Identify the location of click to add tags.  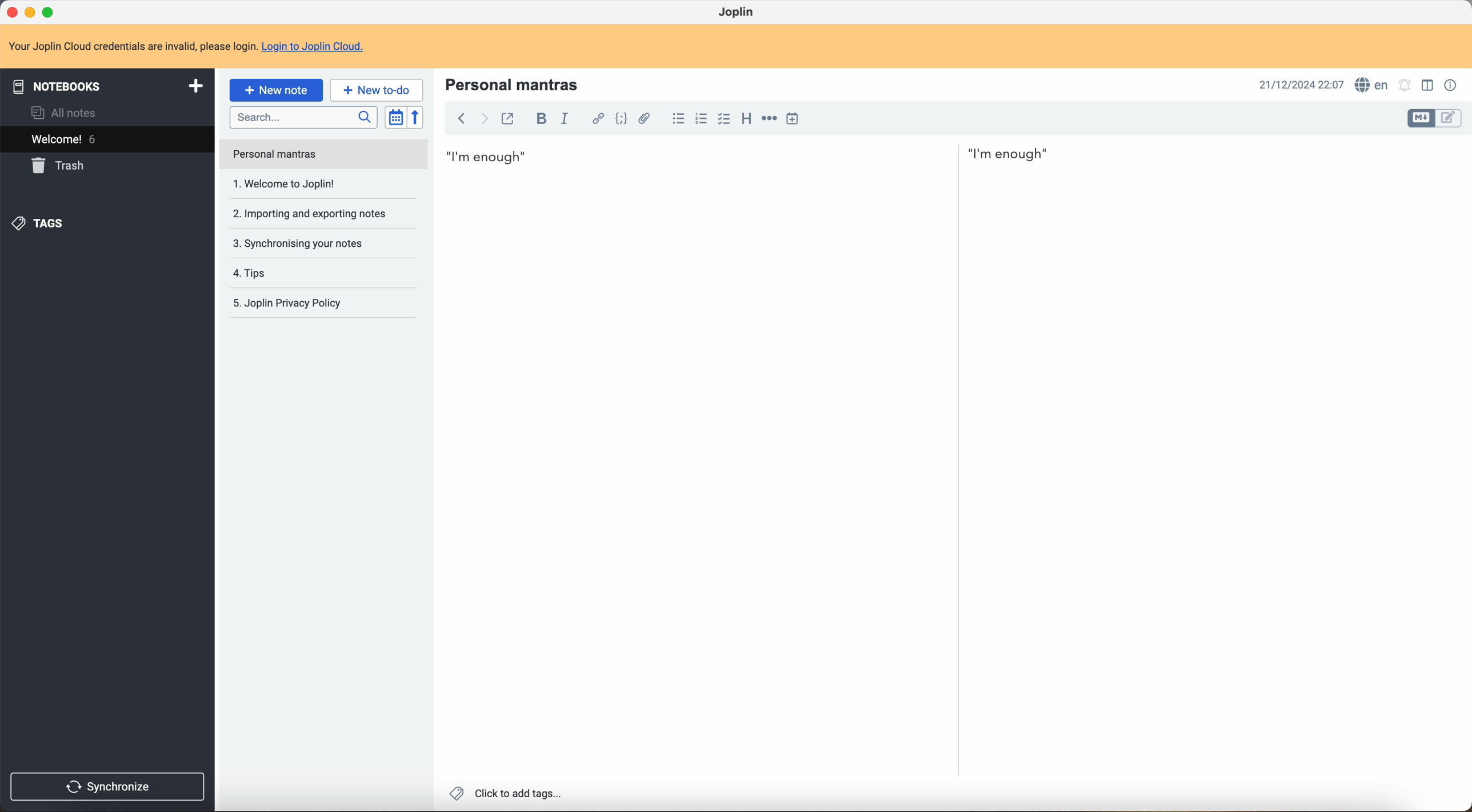
(504, 795).